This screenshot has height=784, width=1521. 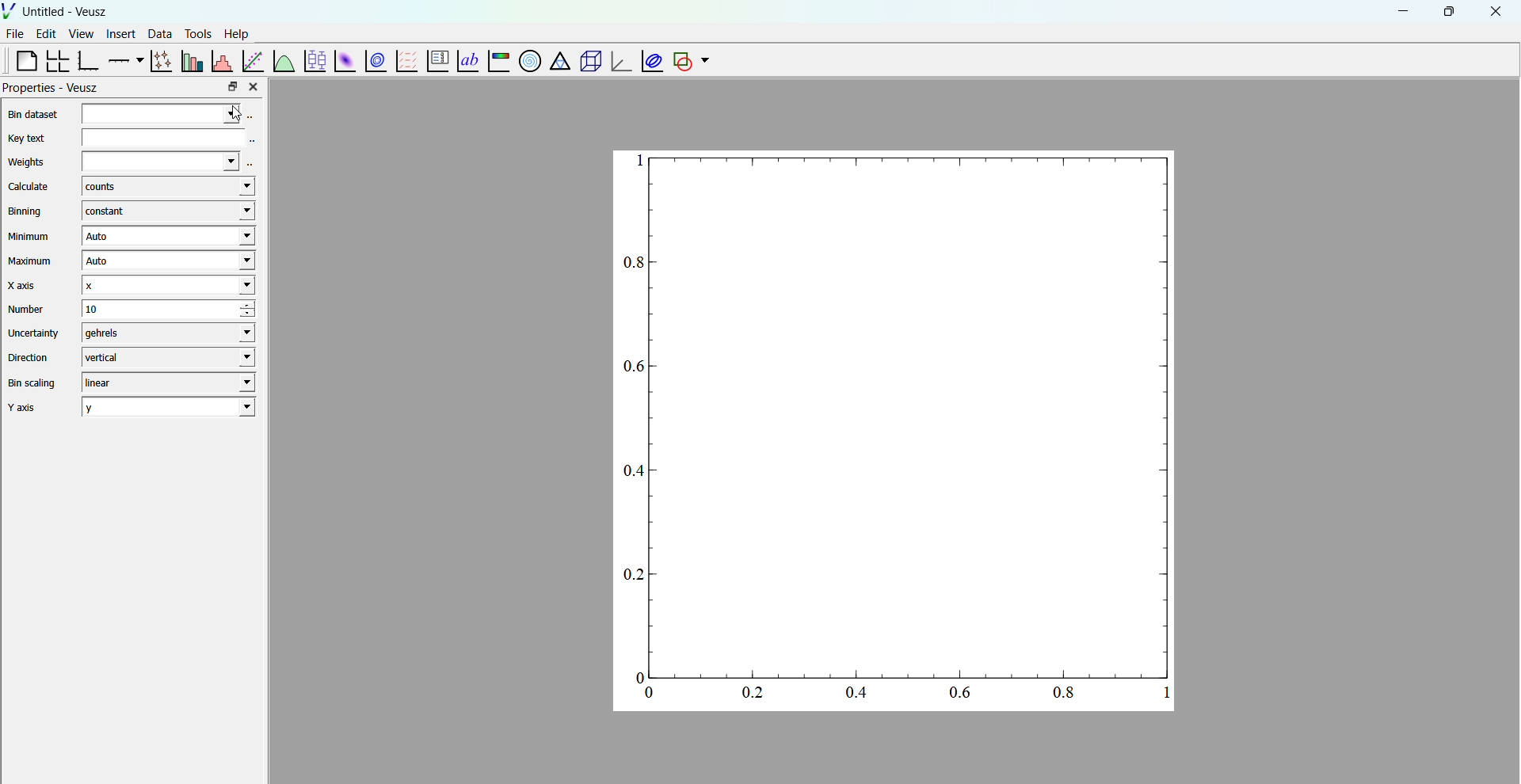 What do you see at coordinates (634, 470) in the screenshot?
I see `0.4` at bounding box center [634, 470].